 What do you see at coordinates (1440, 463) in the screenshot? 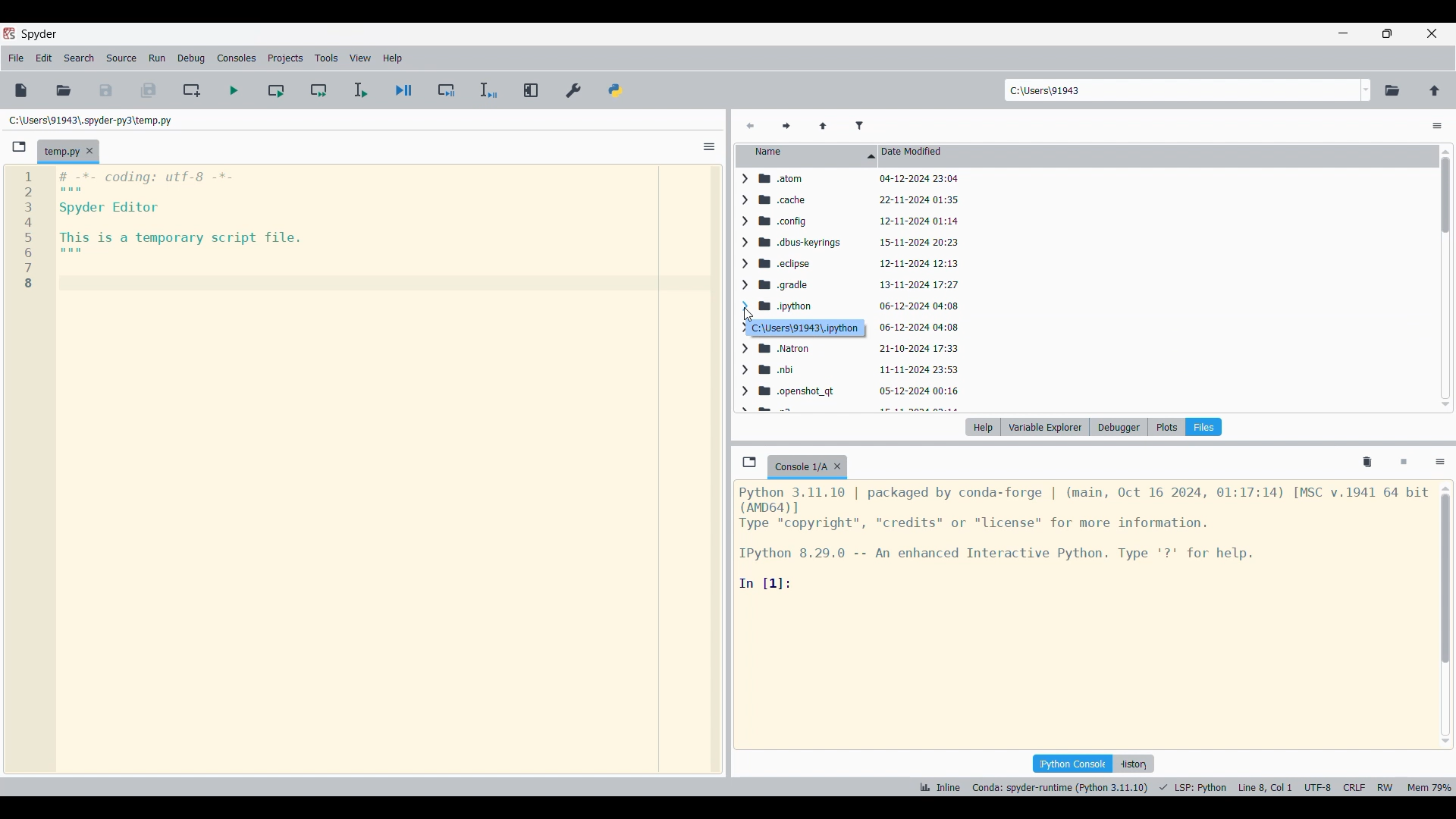
I see `Options` at bounding box center [1440, 463].